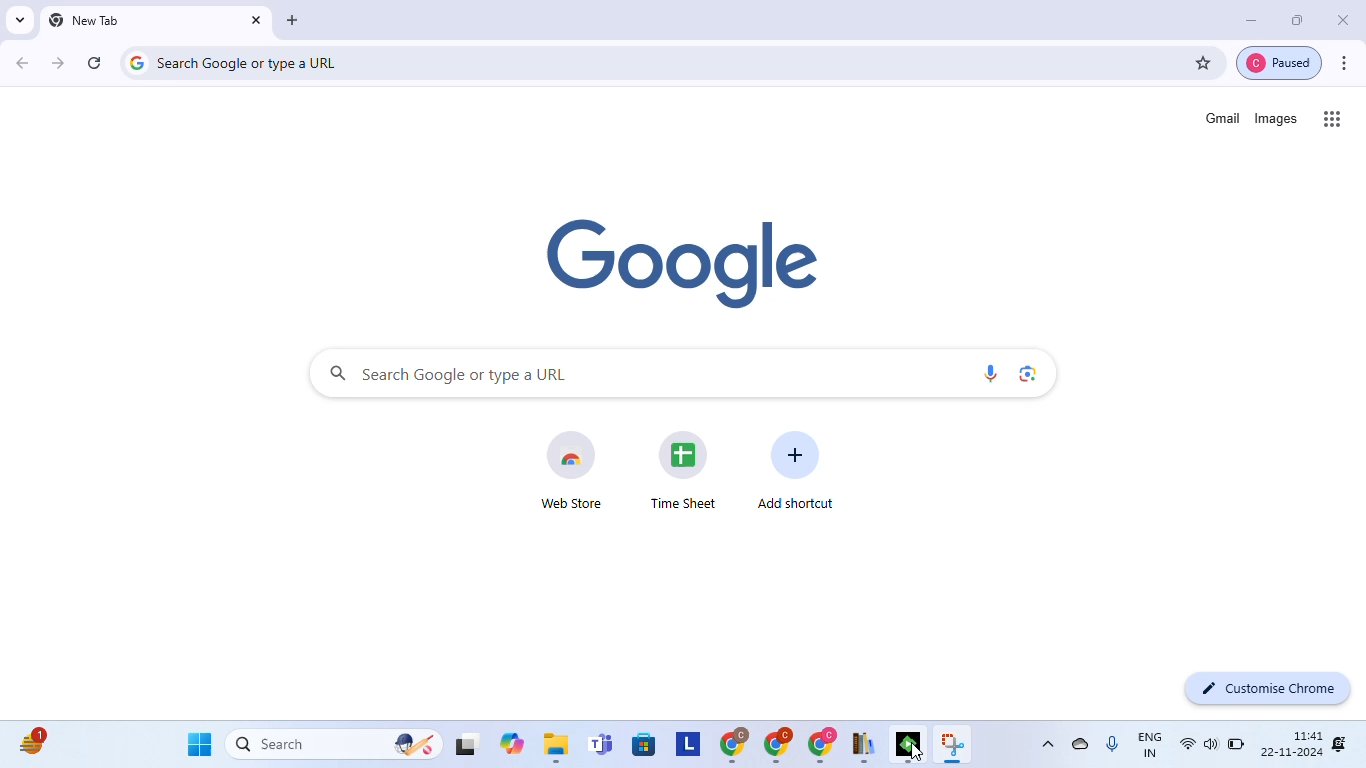 This screenshot has height=768, width=1366. What do you see at coordinates (910, 746) in the screenshot?
I see `emby app` at bounding box center [910, 746].